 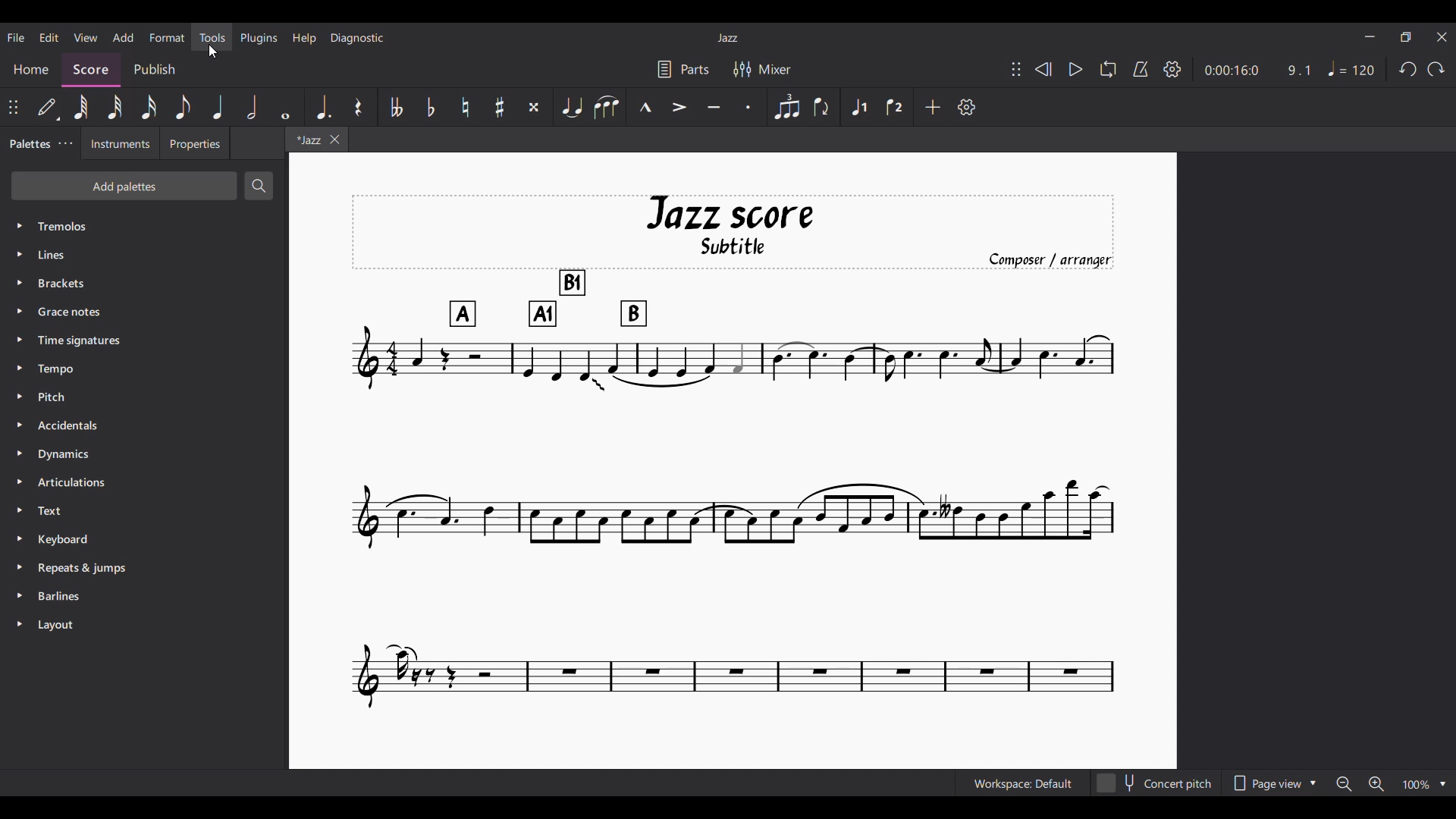 What do you see at coordinates (115, 107) in the screenshot?
I see `32nd note` at bounding box center [115, 107].